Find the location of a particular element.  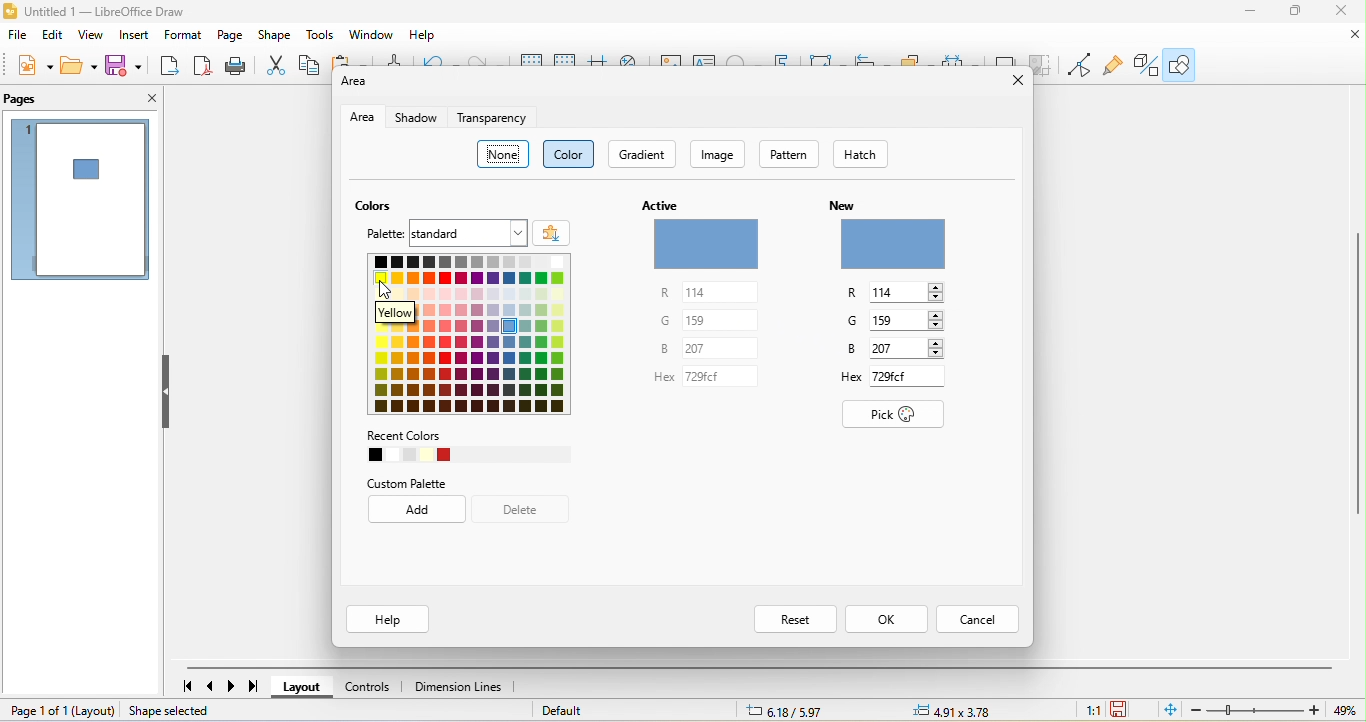

shape selected is located at coordinates (185, 711).